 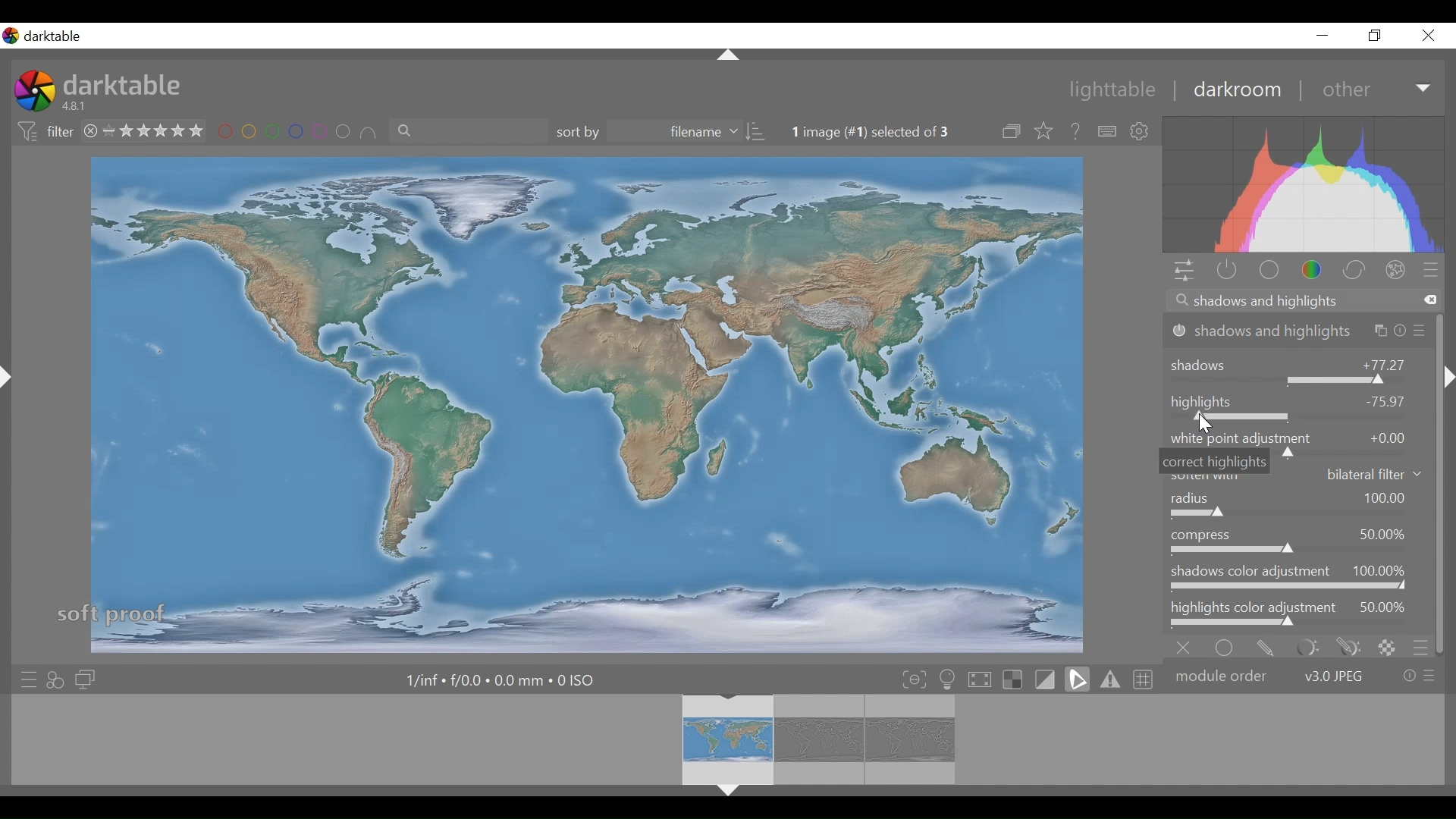 What do you see at coordinates (1141, 679) in the screenshot?
I see `toggle guidelines` at bounding box center [1141, 679].